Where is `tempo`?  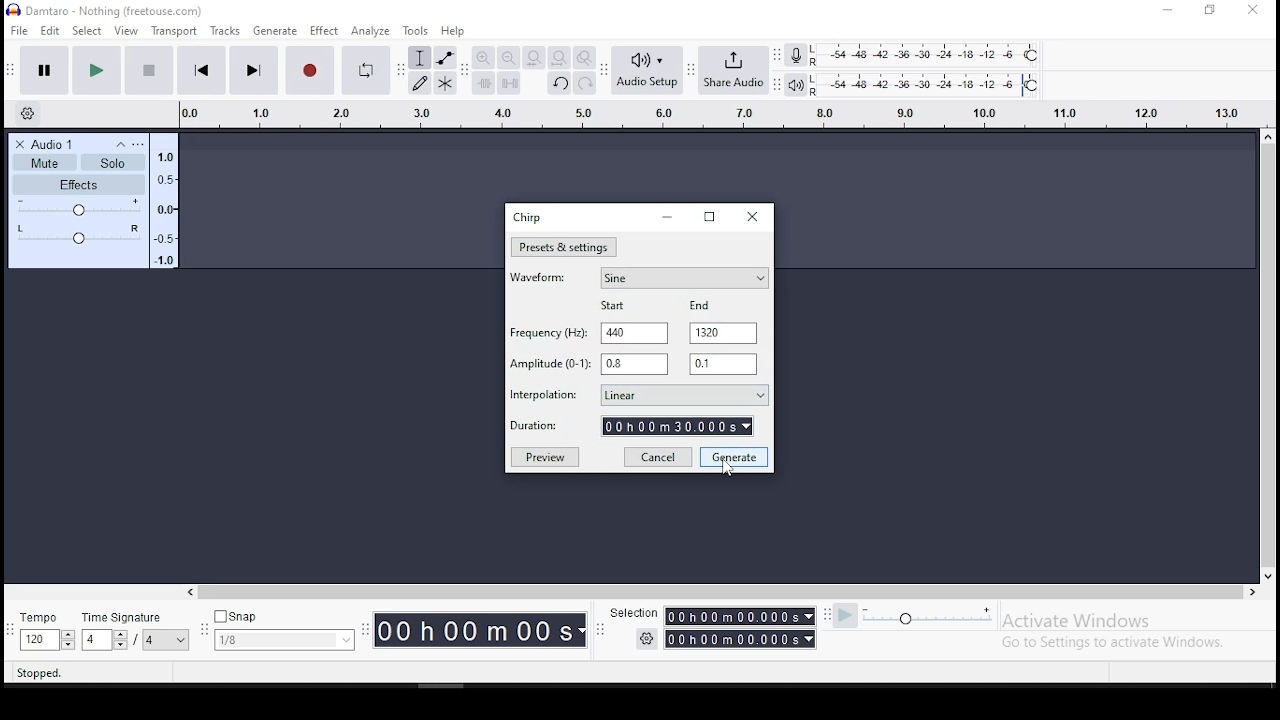
tempo is located at coordinates (47, 631).